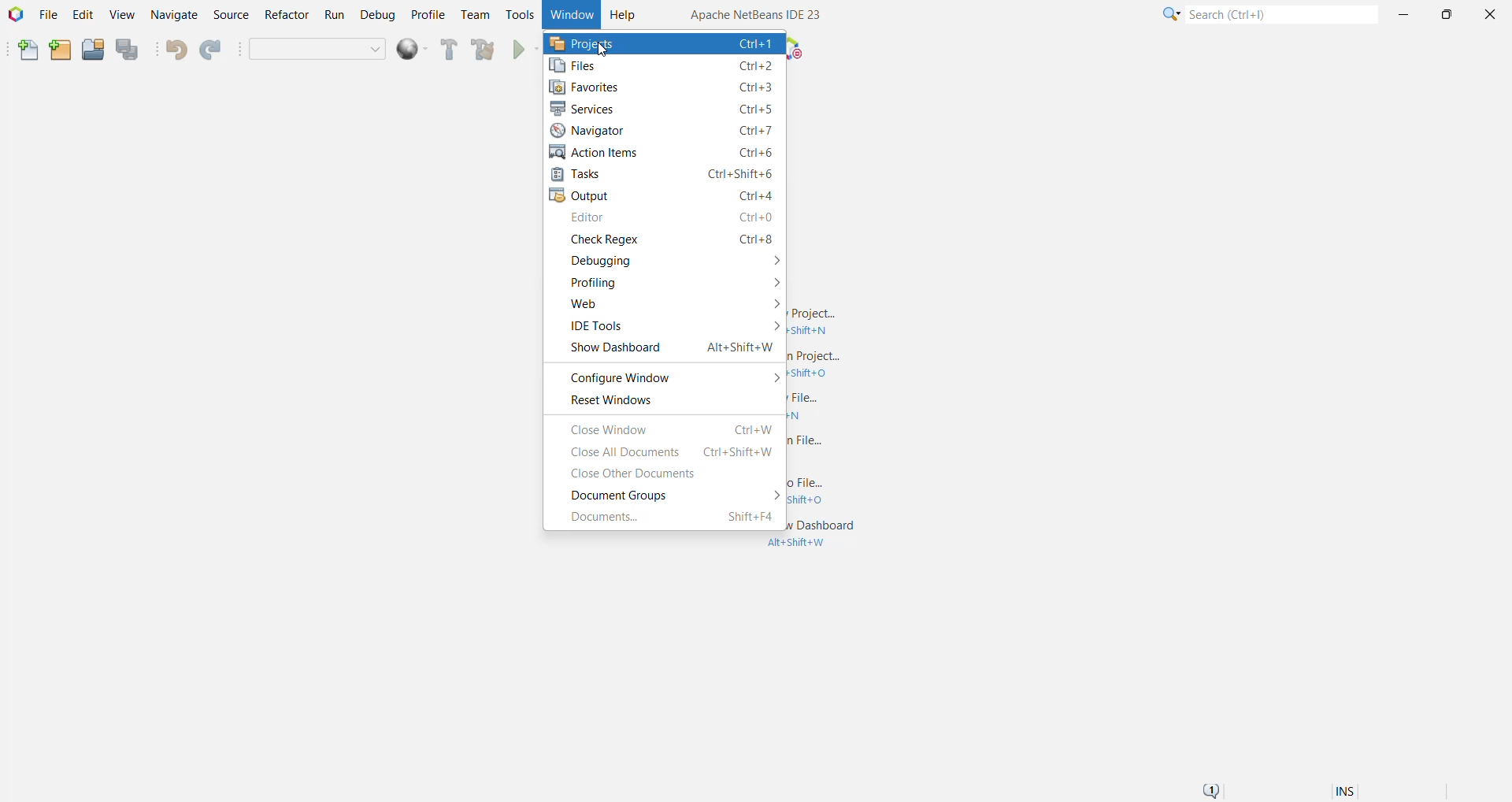 This screenshot has width=1512, height=802. What do you see at coordinates (58, 50) in the screenshot?
I see `New Project` at bounding box center [58, 50].